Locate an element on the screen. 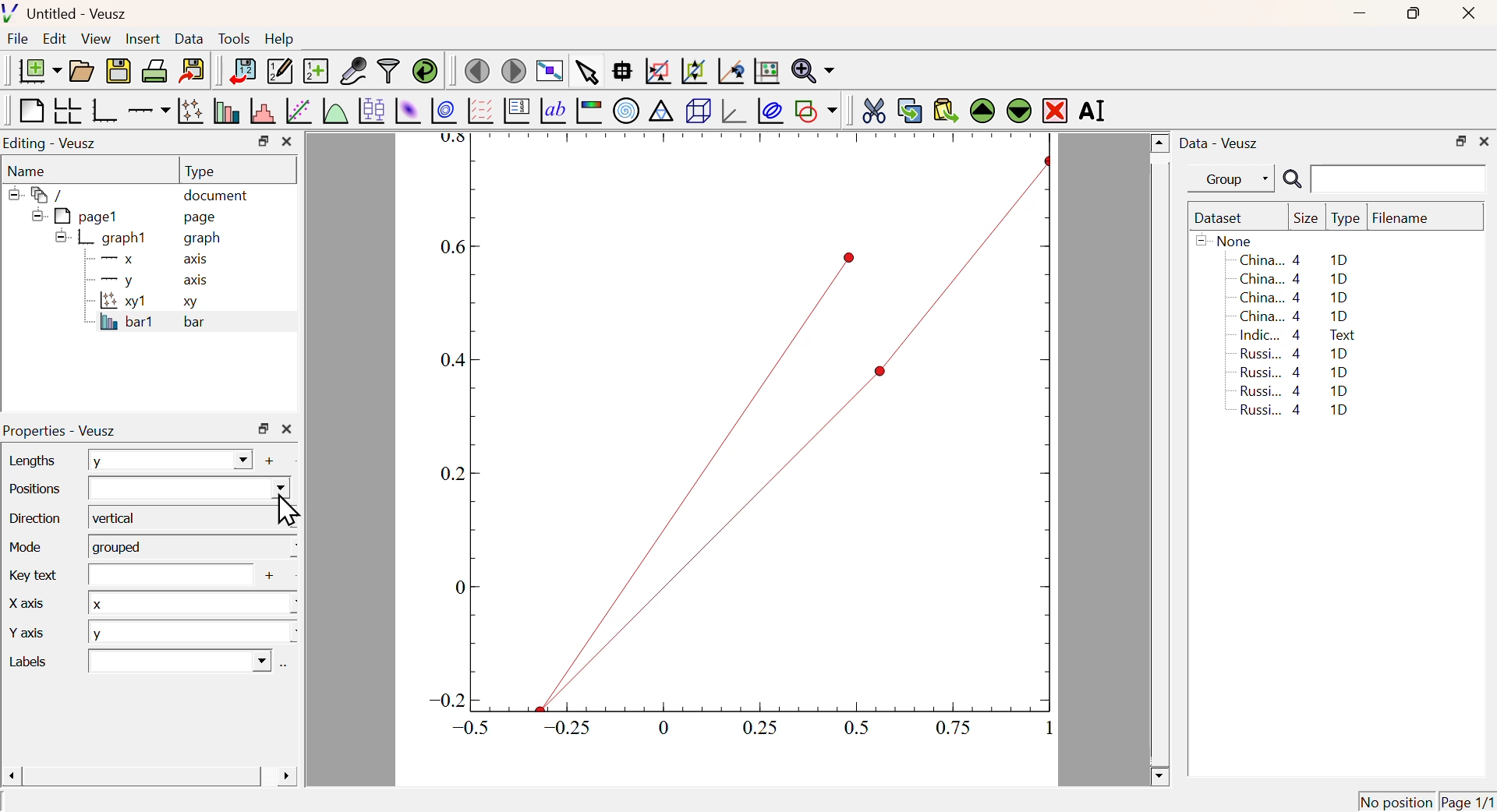 This screenshot has width=1497, height=812. Untitled - Veusz is located at coordinates (69, 15).